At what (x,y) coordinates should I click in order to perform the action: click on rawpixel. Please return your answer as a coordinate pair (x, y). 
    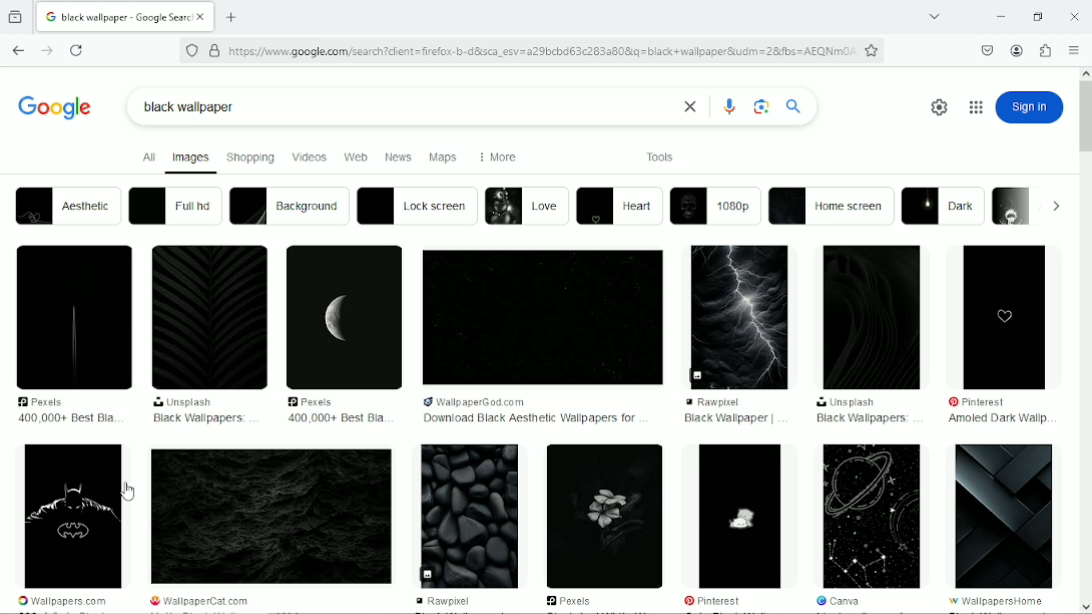
    Looking at the image, I should click on (733, 402).